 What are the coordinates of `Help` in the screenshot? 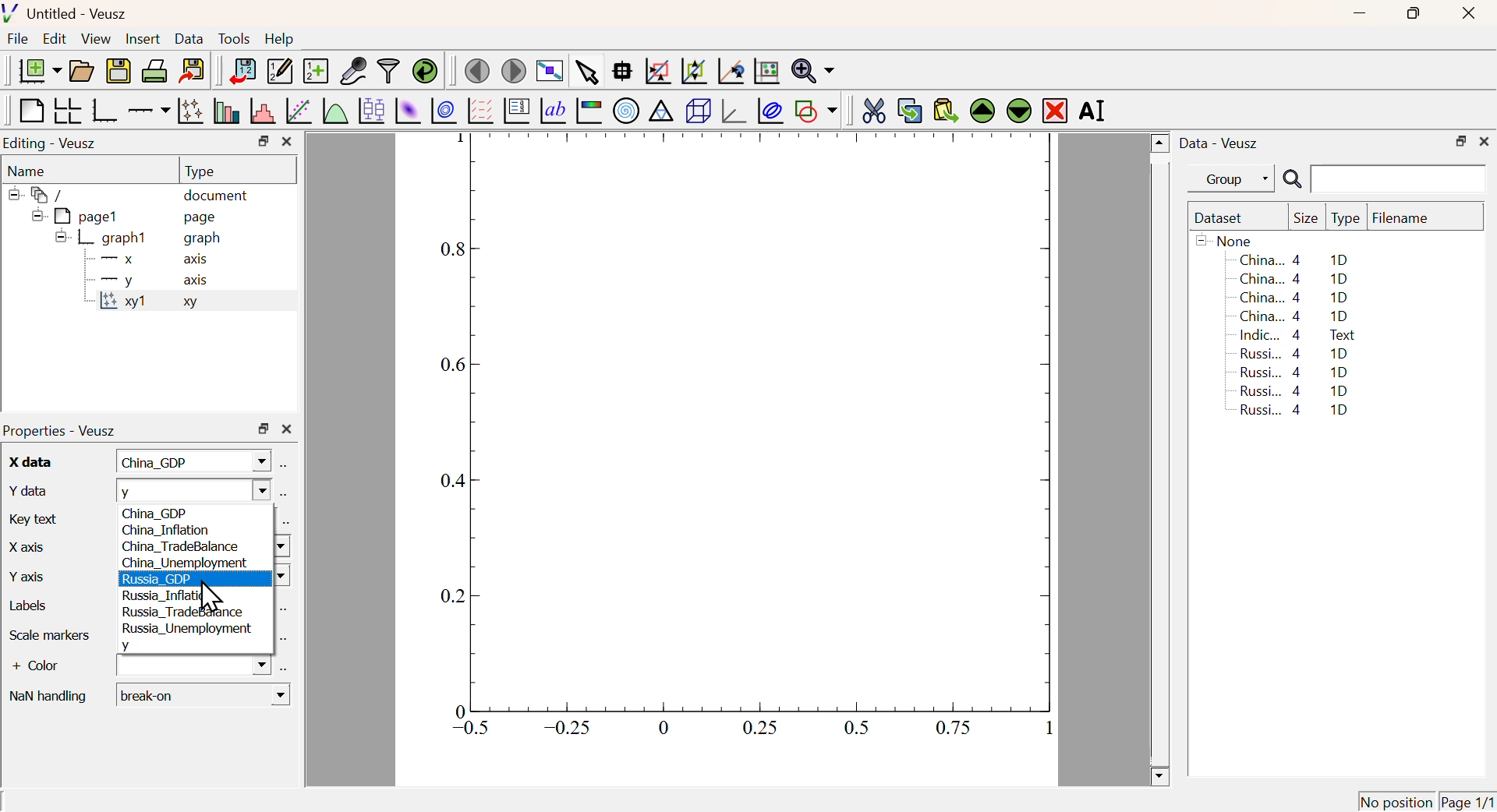 It's located at (280, 39).